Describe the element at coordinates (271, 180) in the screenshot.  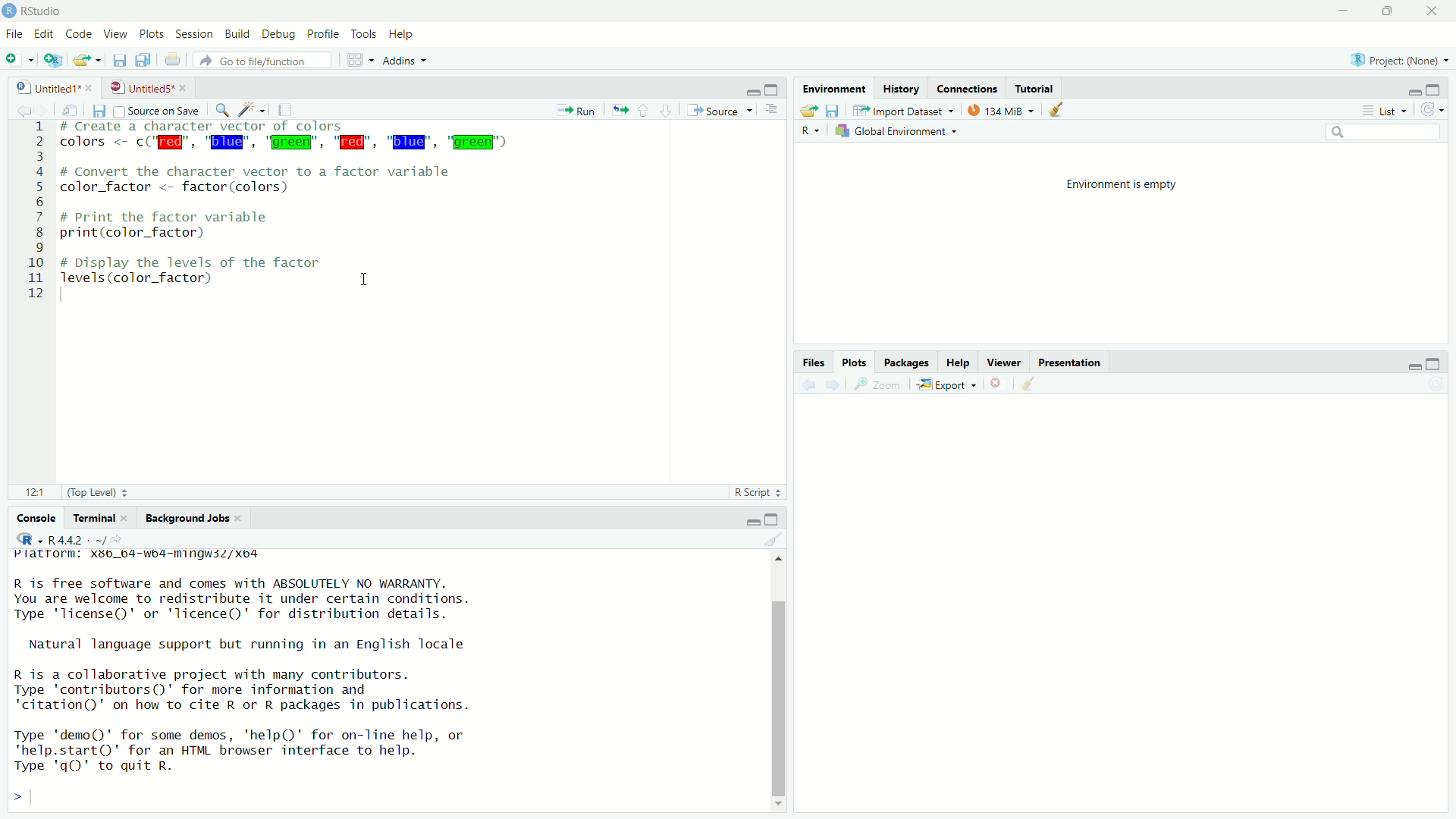
I see `# Convert the character vector to a factor variable
color_factor <- factor (colors)` at that location.